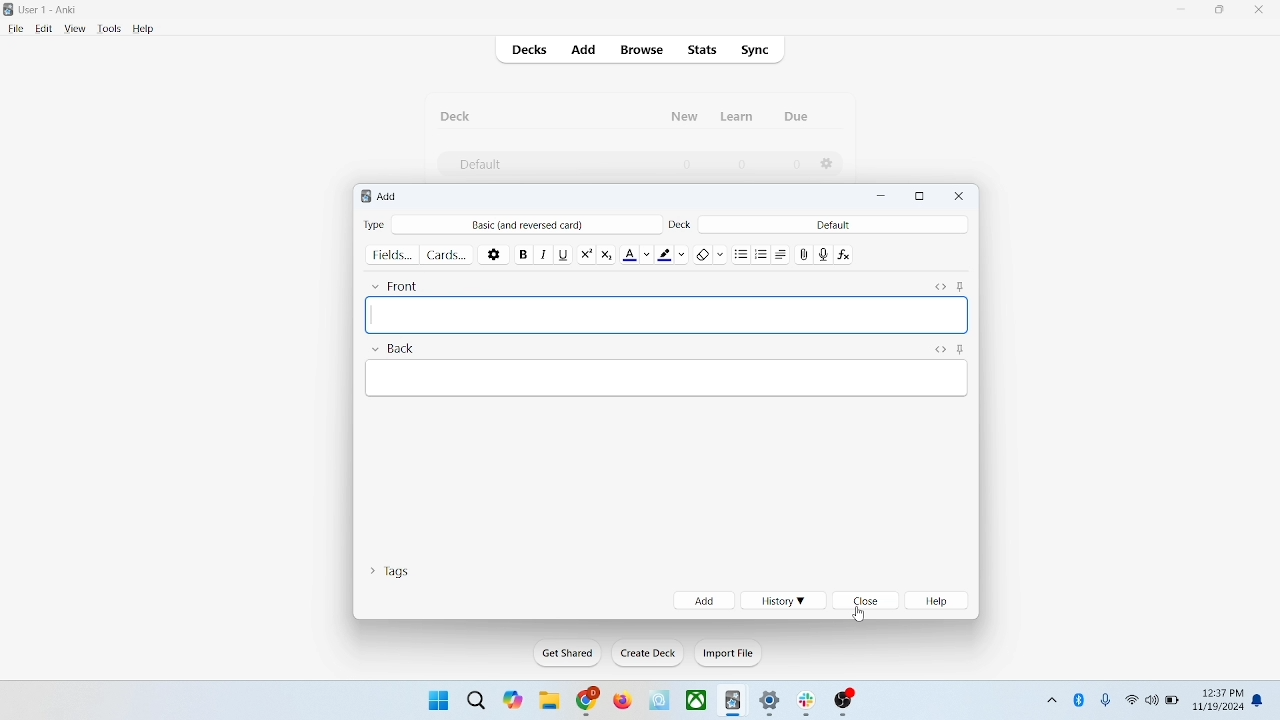 The height and width of the screenshot is (720, 1280). I want to click on bold, so click(522, 252).